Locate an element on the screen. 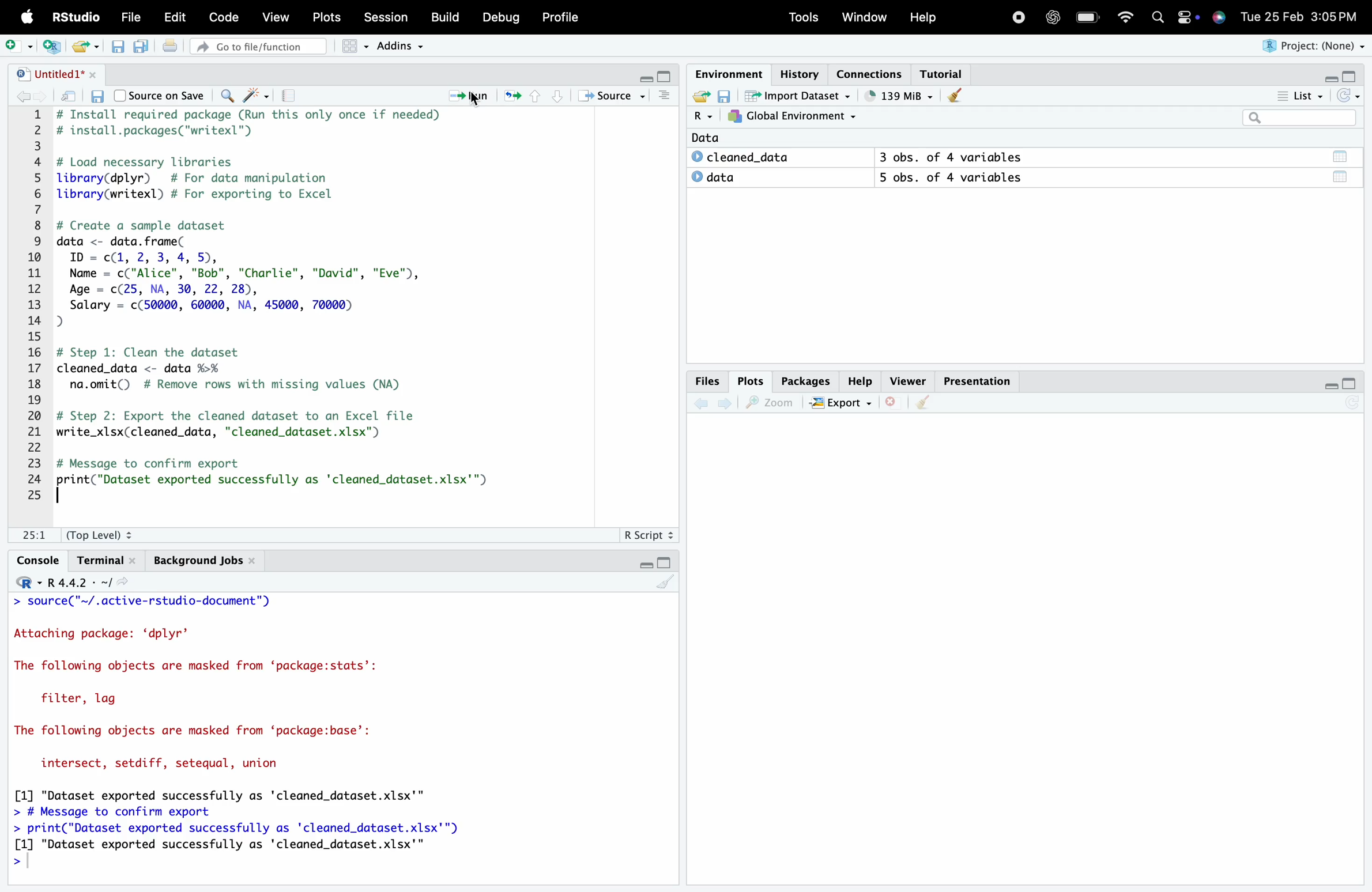  121kib used by R session (Source: Windows System) is located at coordinates (897, 95).